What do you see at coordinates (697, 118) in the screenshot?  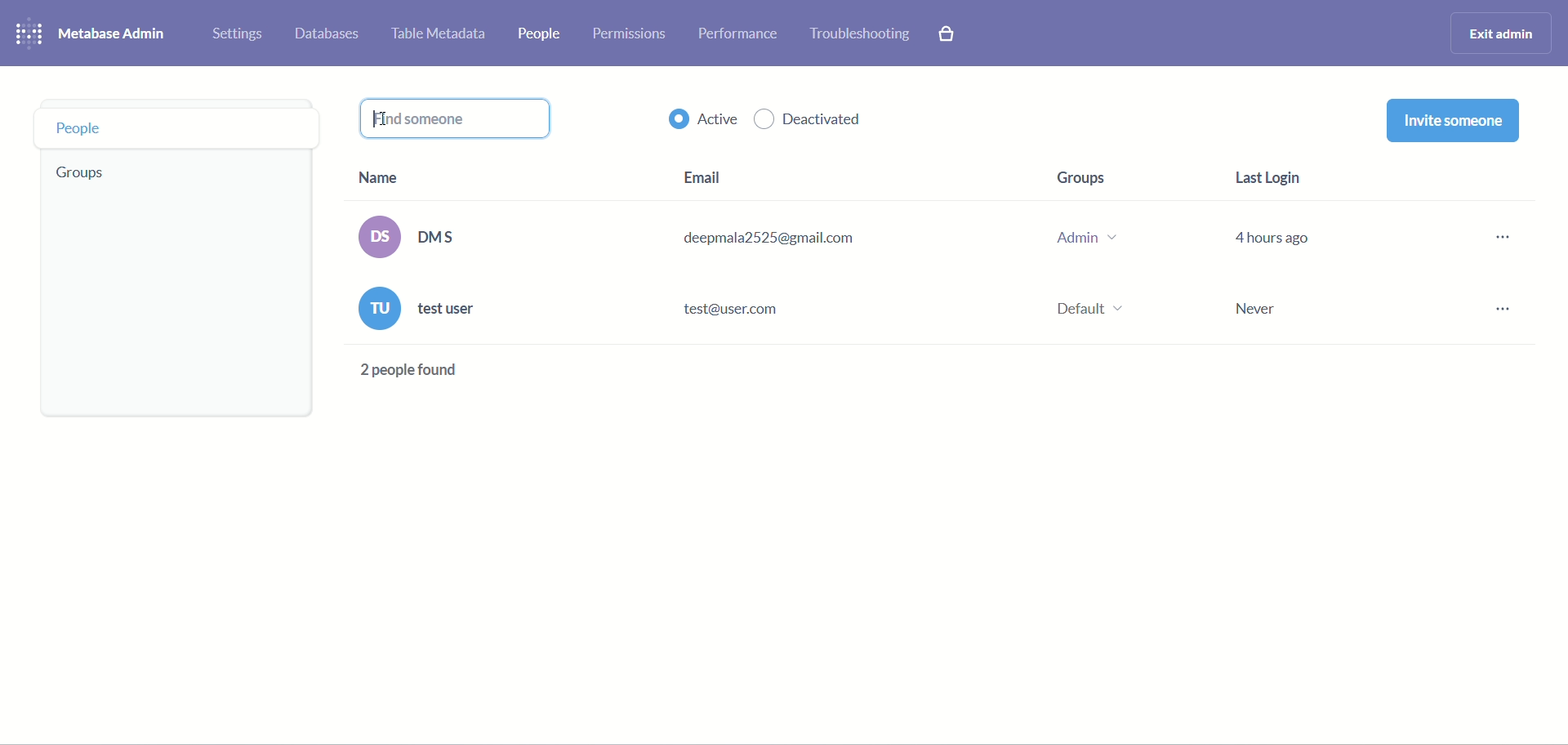 I see `active` at bounding box center [697, 118].